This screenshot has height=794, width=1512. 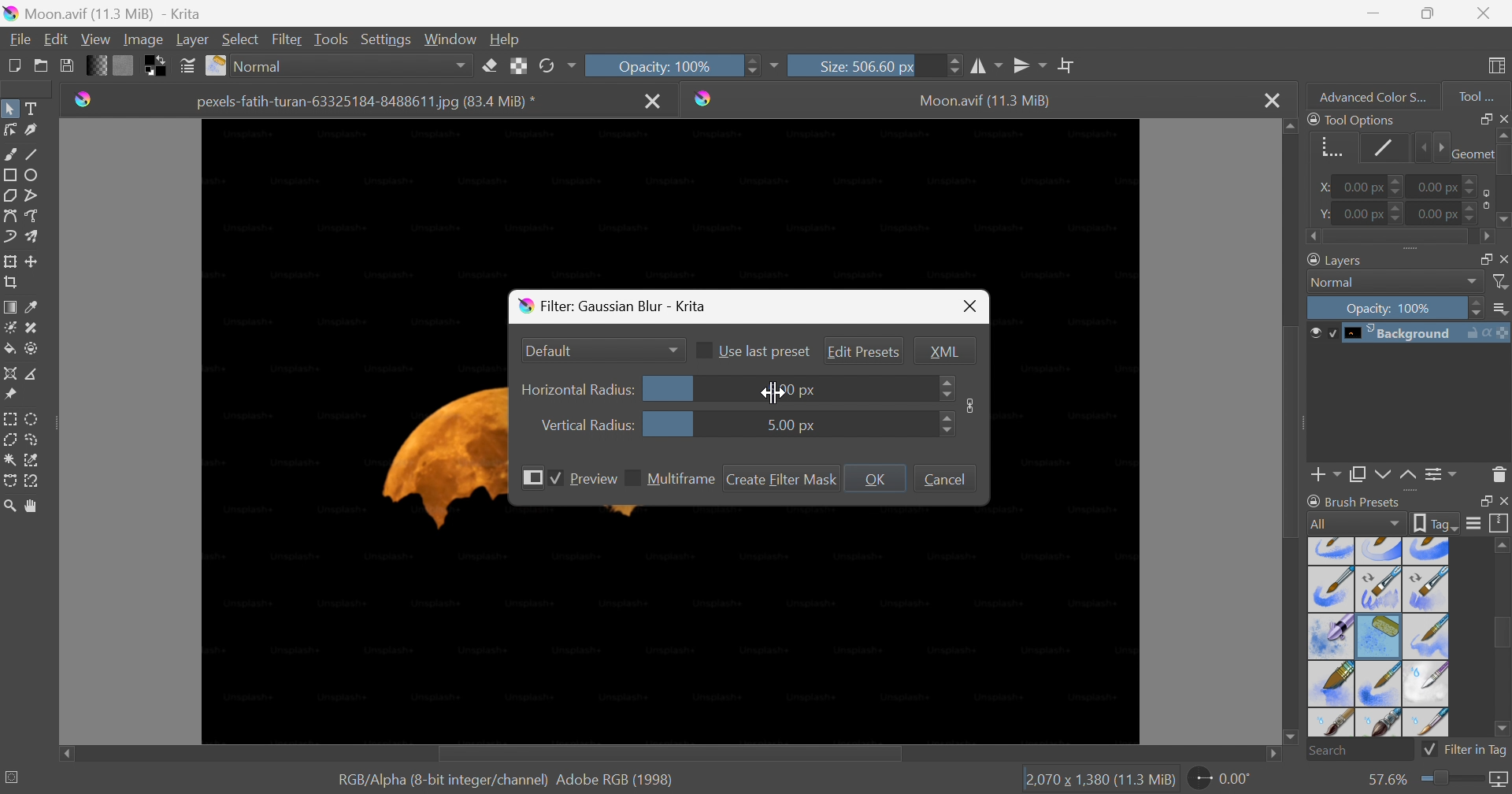 What do you see at coordinates (123, 64) in the screenshot?
I see `Fill patterns` at bounding box center [123, 64].